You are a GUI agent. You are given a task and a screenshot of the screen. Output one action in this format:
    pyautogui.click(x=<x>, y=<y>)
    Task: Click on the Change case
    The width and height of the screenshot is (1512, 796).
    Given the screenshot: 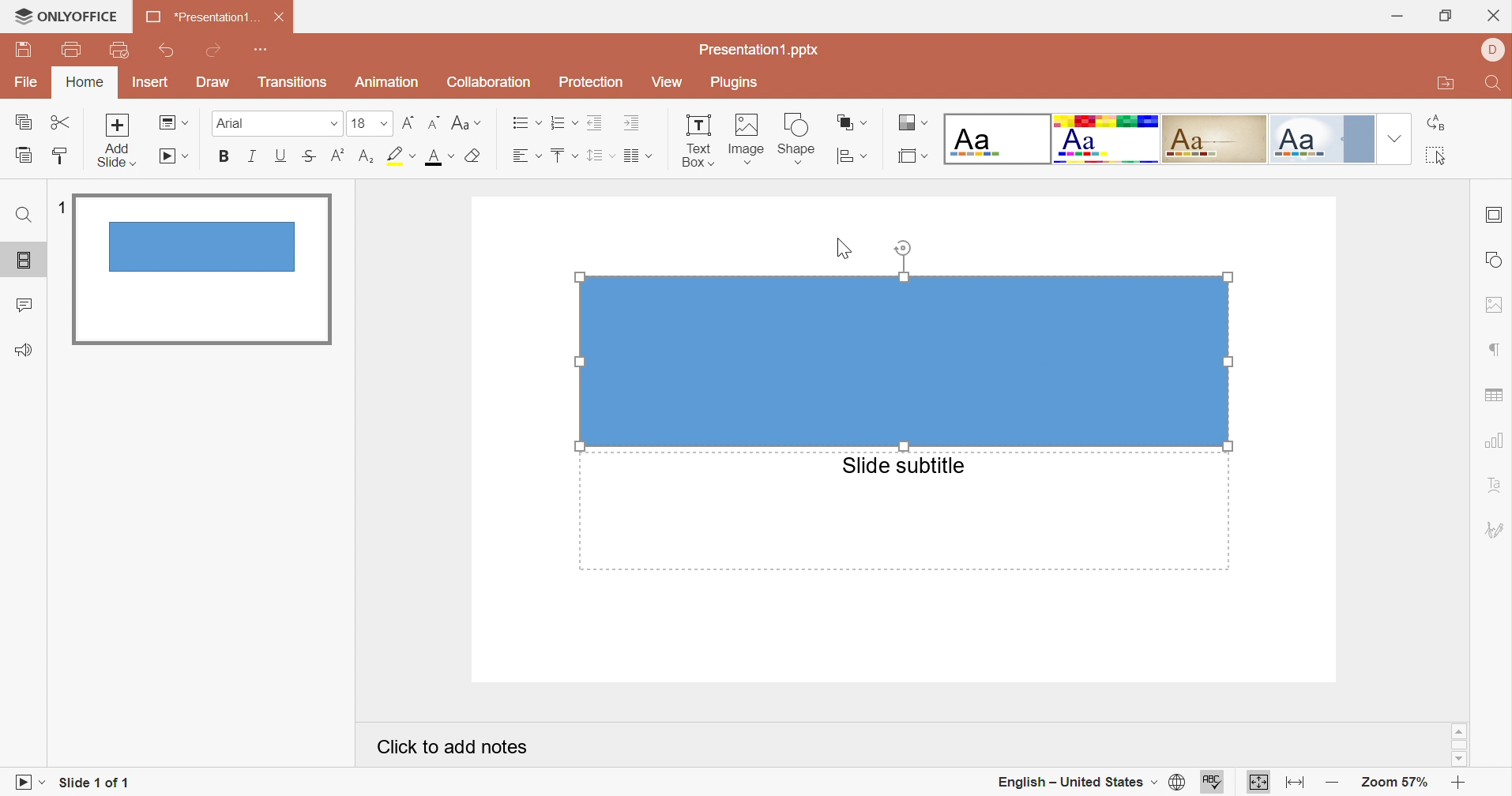 What is the action you would take?
    pyautogui.click(x=465, y=123)
    